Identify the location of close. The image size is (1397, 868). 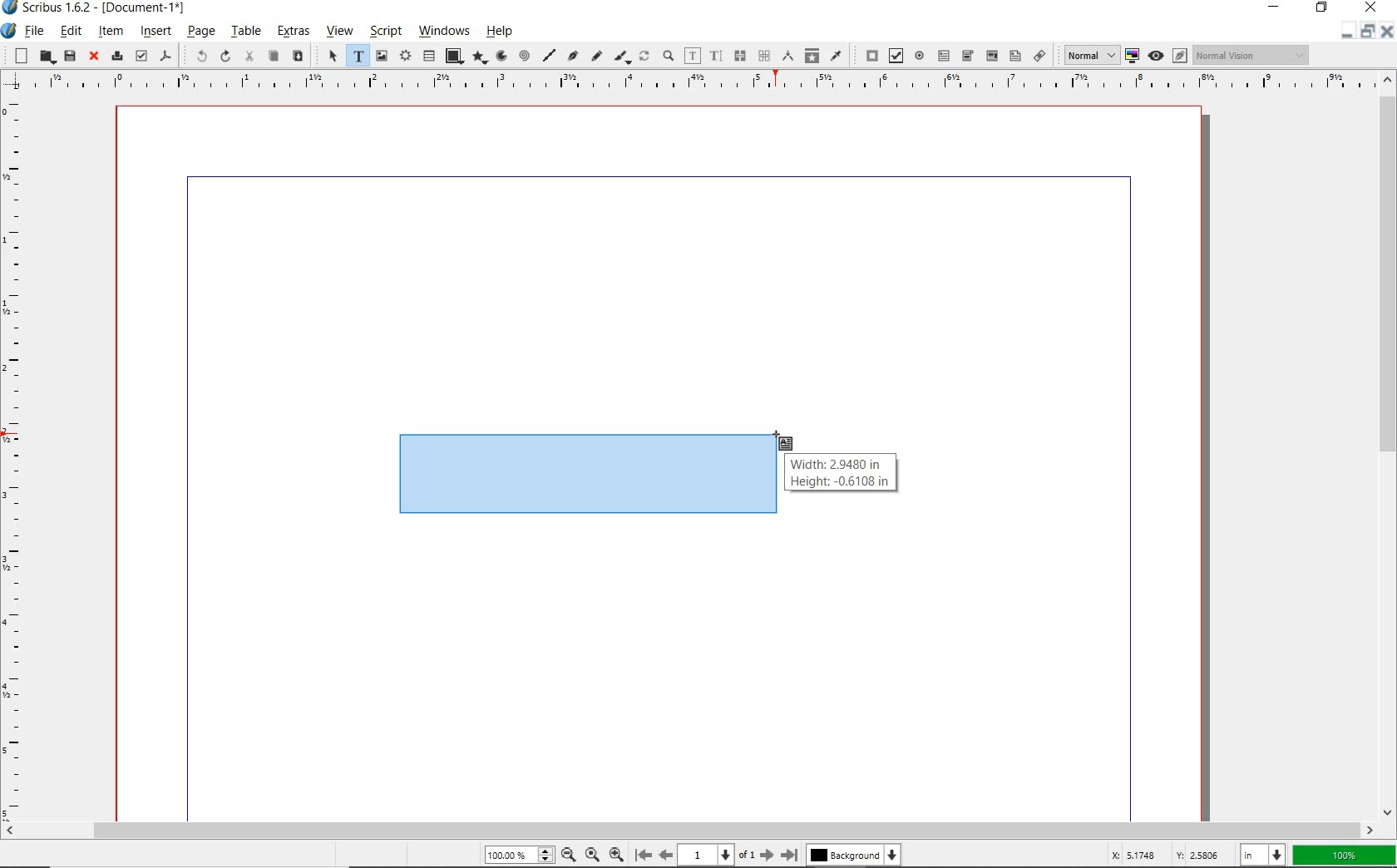
(1371, 7).